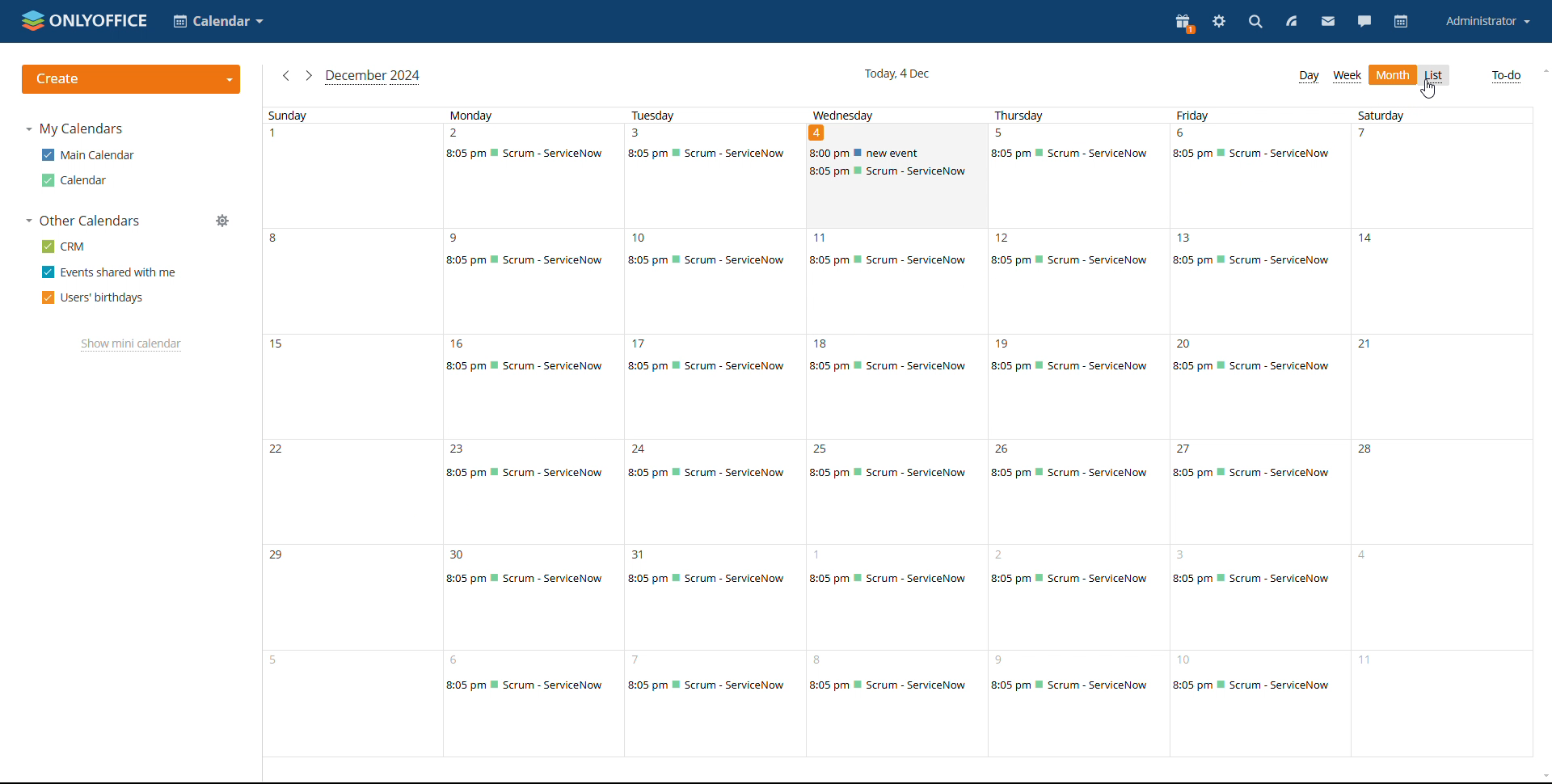 Image resolution: width=1552 pixels, height=784 pixels. I want to click on month view, so click(1393, 75).